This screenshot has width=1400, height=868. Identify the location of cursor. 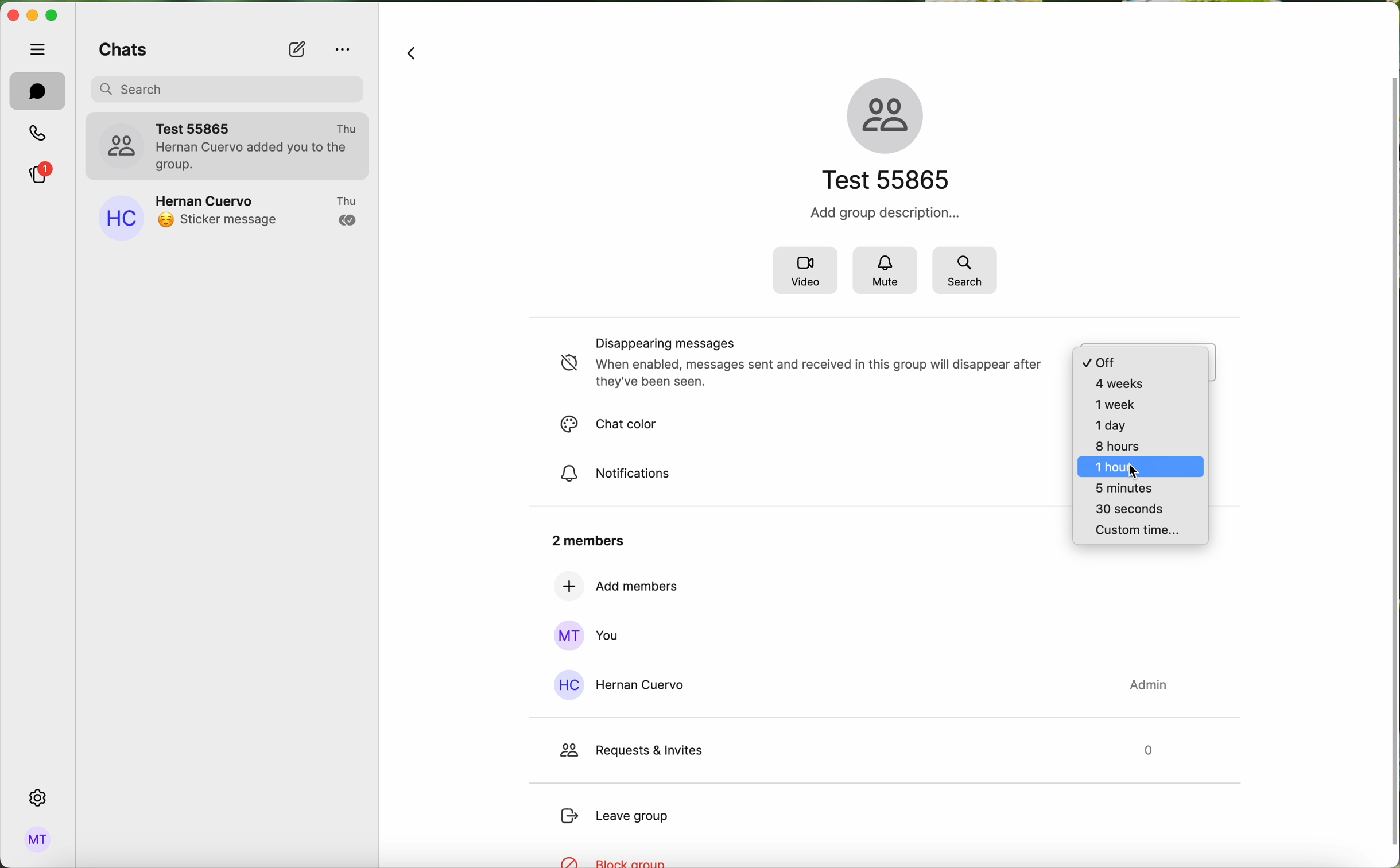
(1135, 474).